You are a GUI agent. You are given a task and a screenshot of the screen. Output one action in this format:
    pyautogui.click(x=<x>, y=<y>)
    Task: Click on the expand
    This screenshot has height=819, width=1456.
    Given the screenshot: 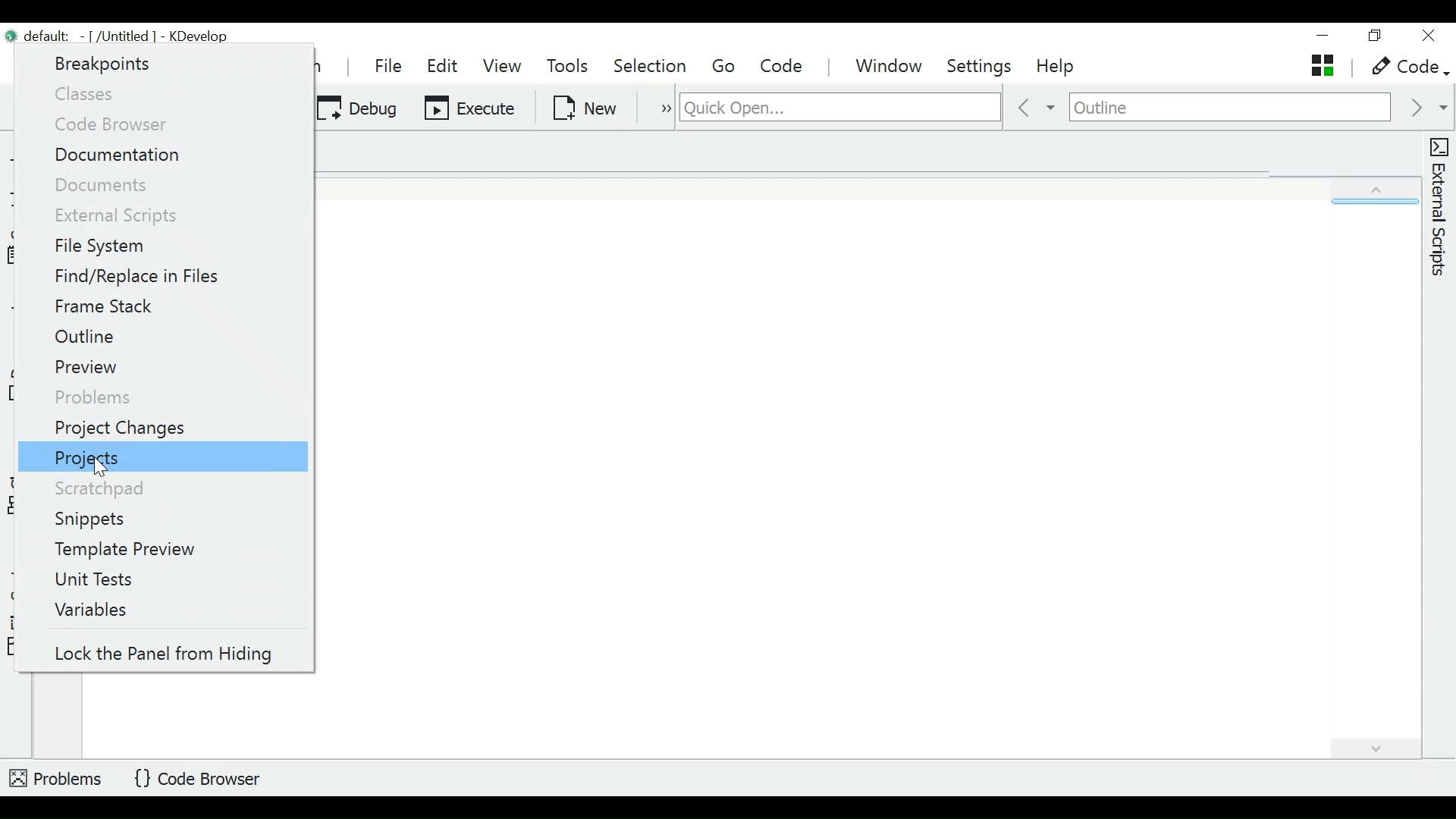 What is the action you would take?
    pyautogui.click(x=1357, y=196)
    